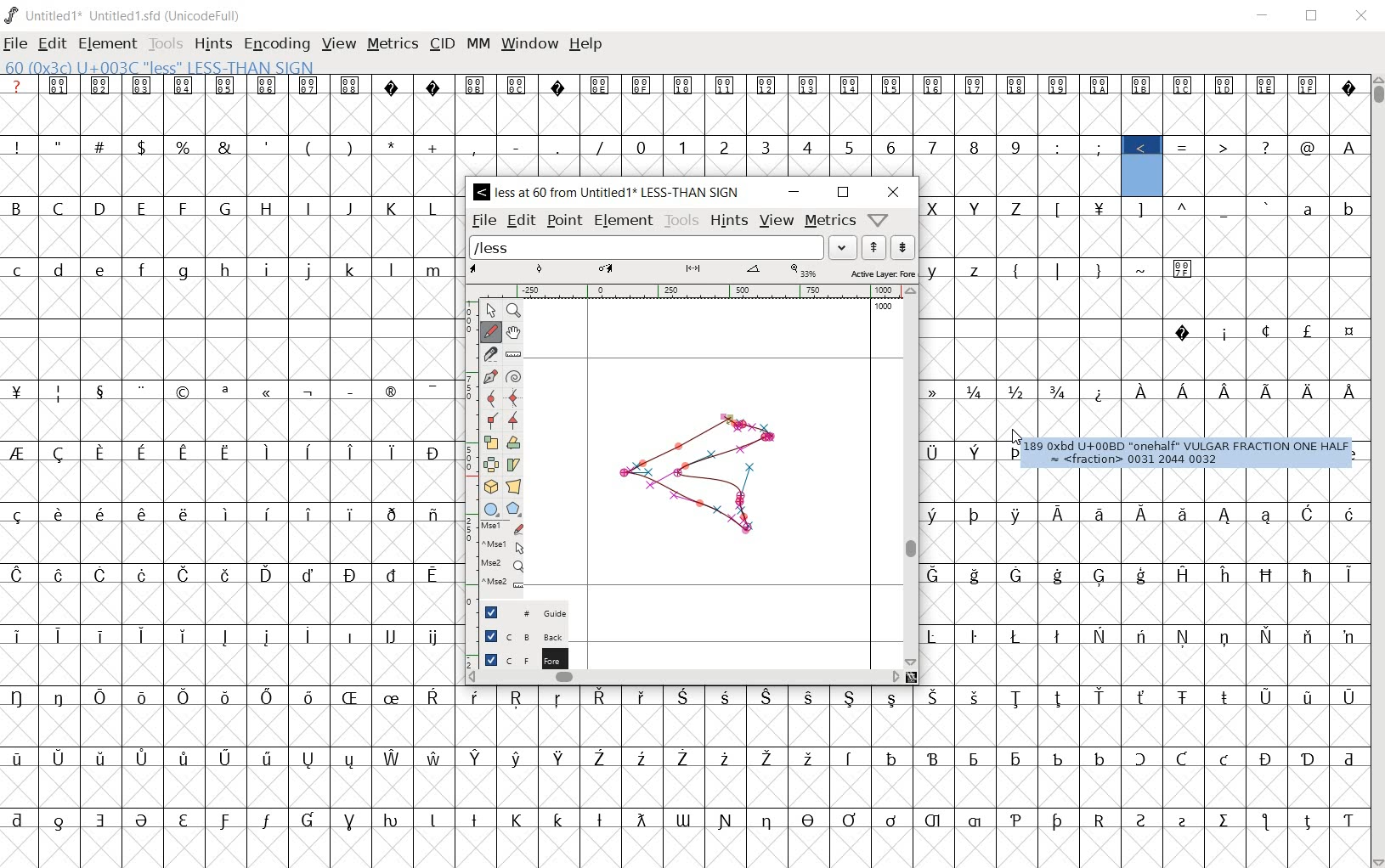 The width and height of the screenshot is (1385, 868). What do you see at coordinates (441, 45) in the screenshot?
I see `cid` at bounding box center [441, 45].